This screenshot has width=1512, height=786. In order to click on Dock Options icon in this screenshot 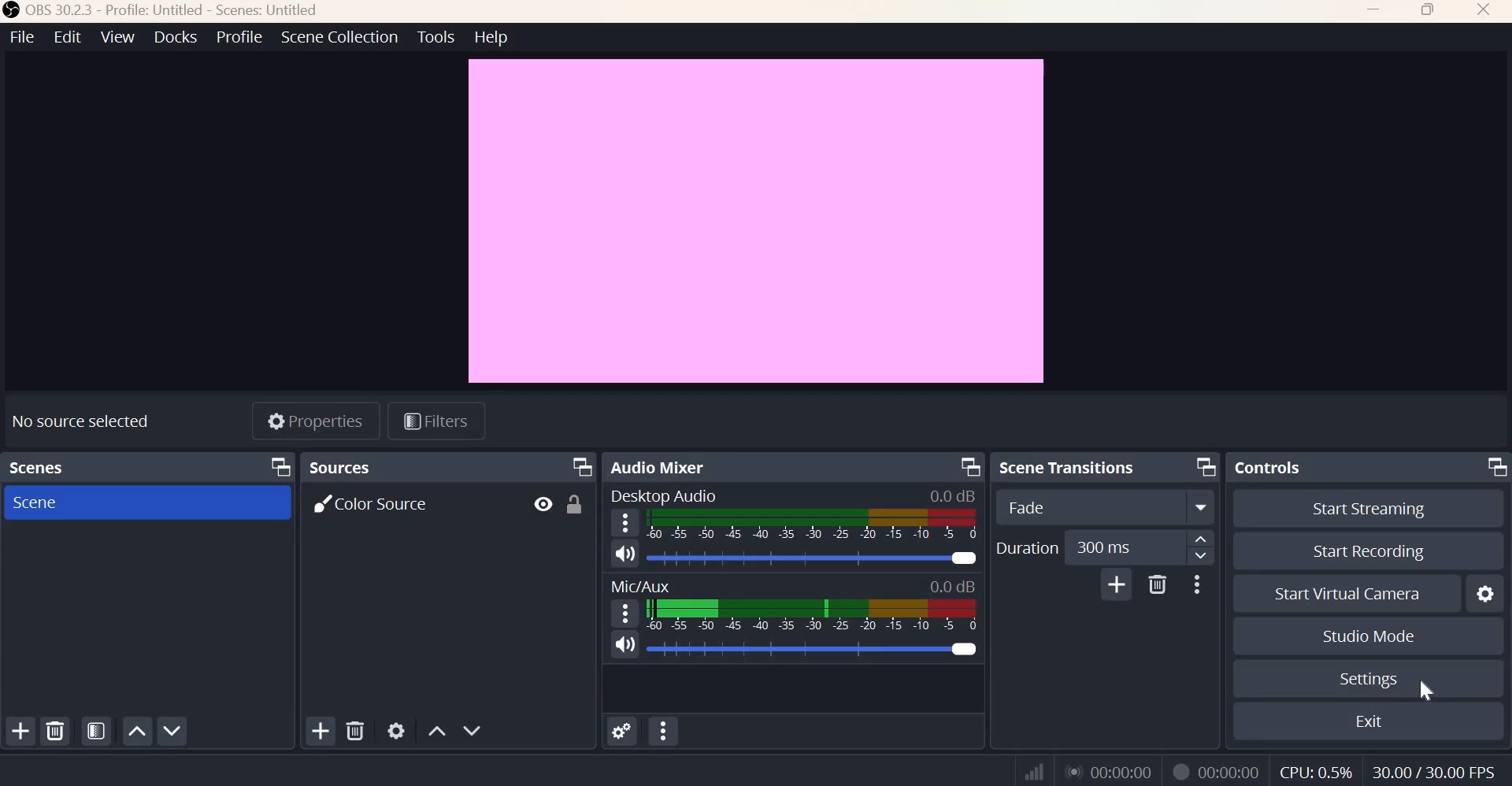, I will do `click(282, 466)`.